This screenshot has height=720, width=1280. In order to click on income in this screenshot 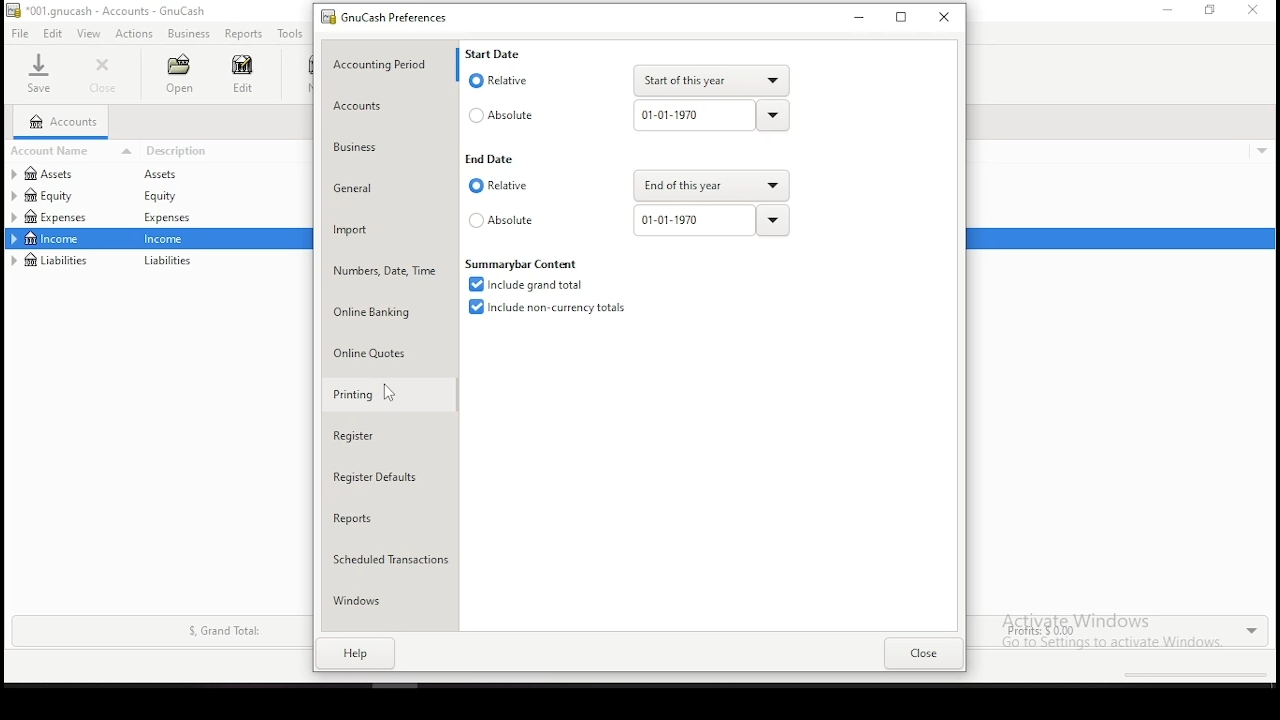, I will do `click(168, 239)`.